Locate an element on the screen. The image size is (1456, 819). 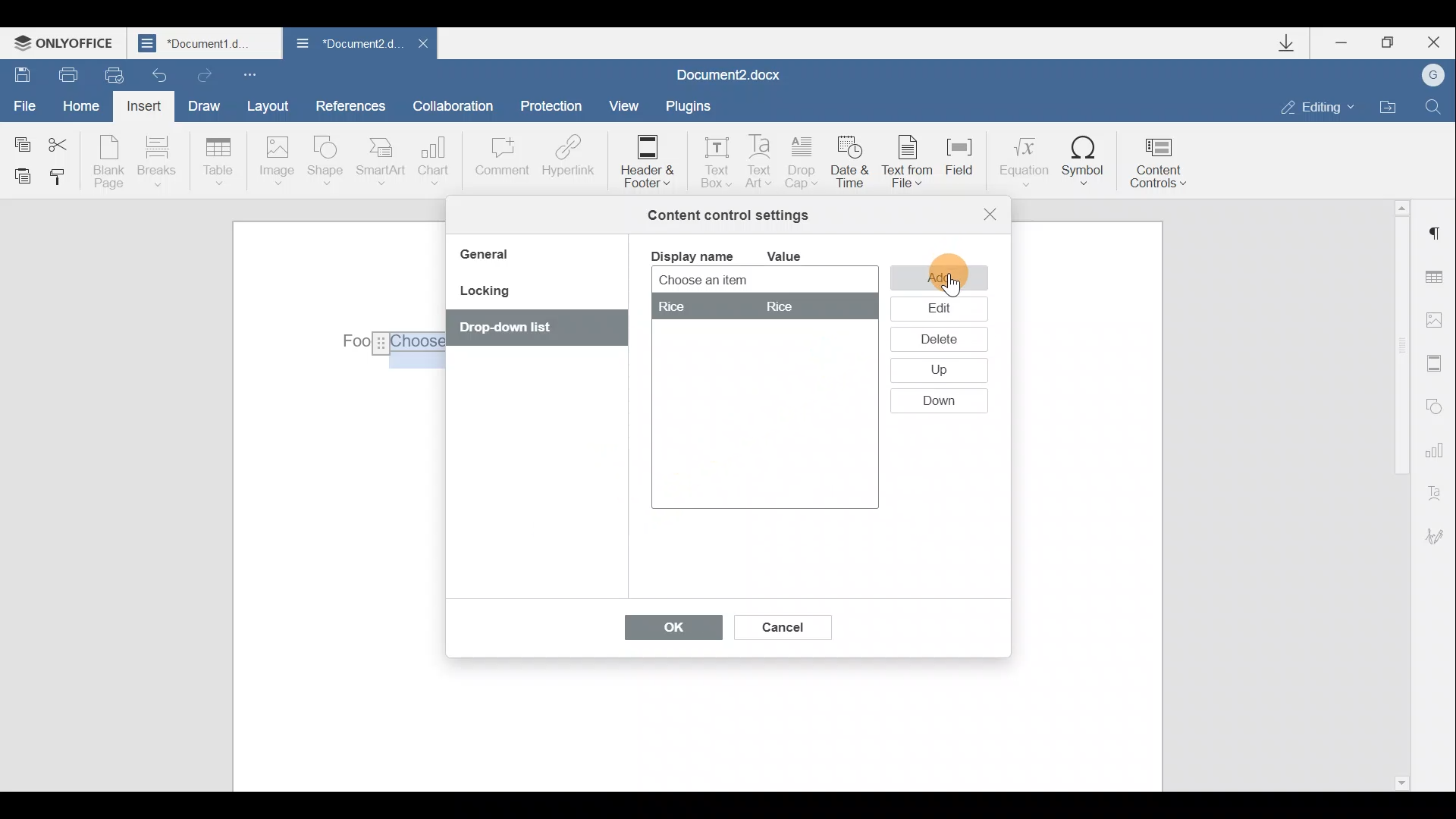
Find is located at coordinates (1434, 106).